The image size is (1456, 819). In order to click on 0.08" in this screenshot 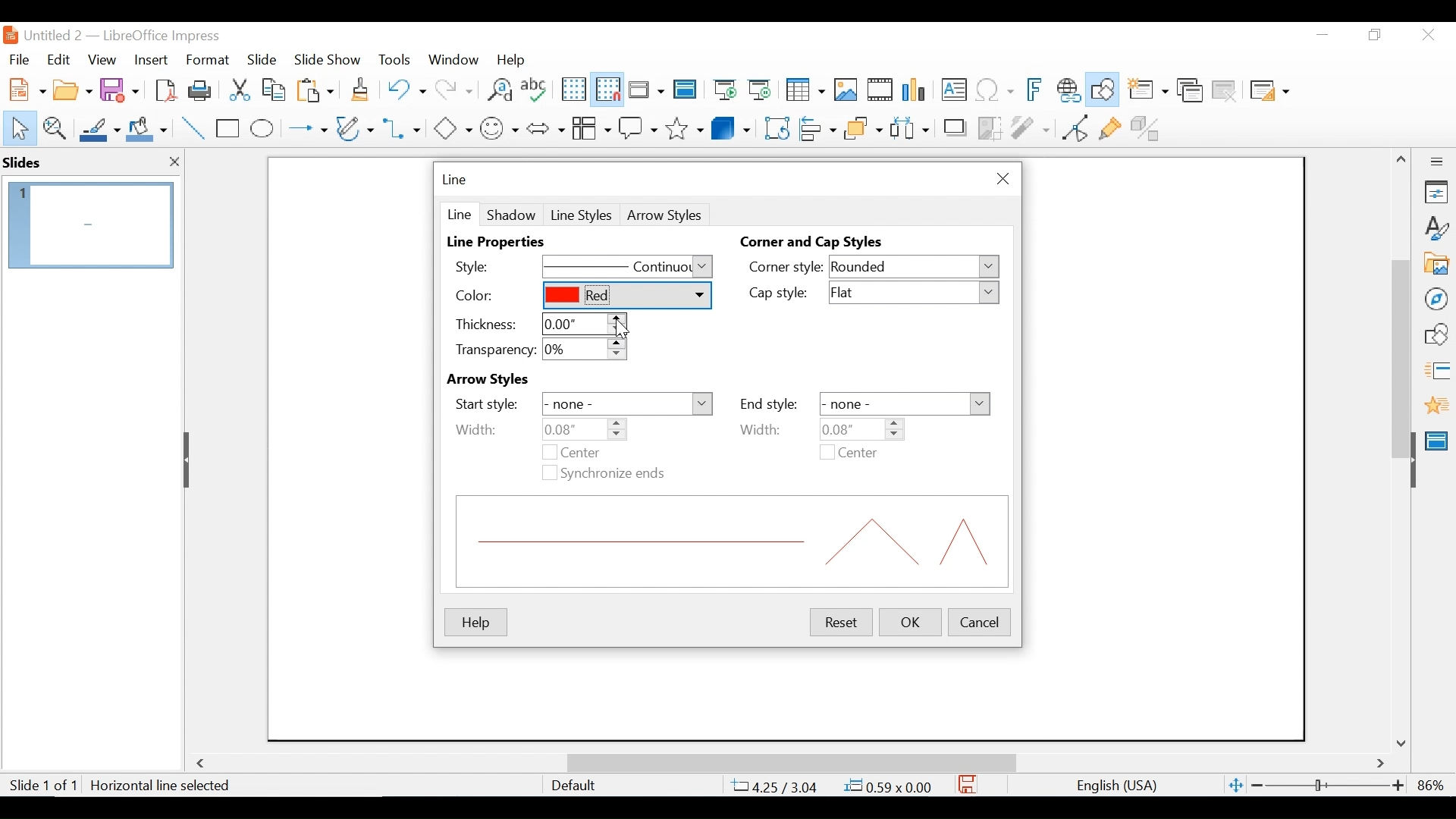, I will do `click(859, 428)`.